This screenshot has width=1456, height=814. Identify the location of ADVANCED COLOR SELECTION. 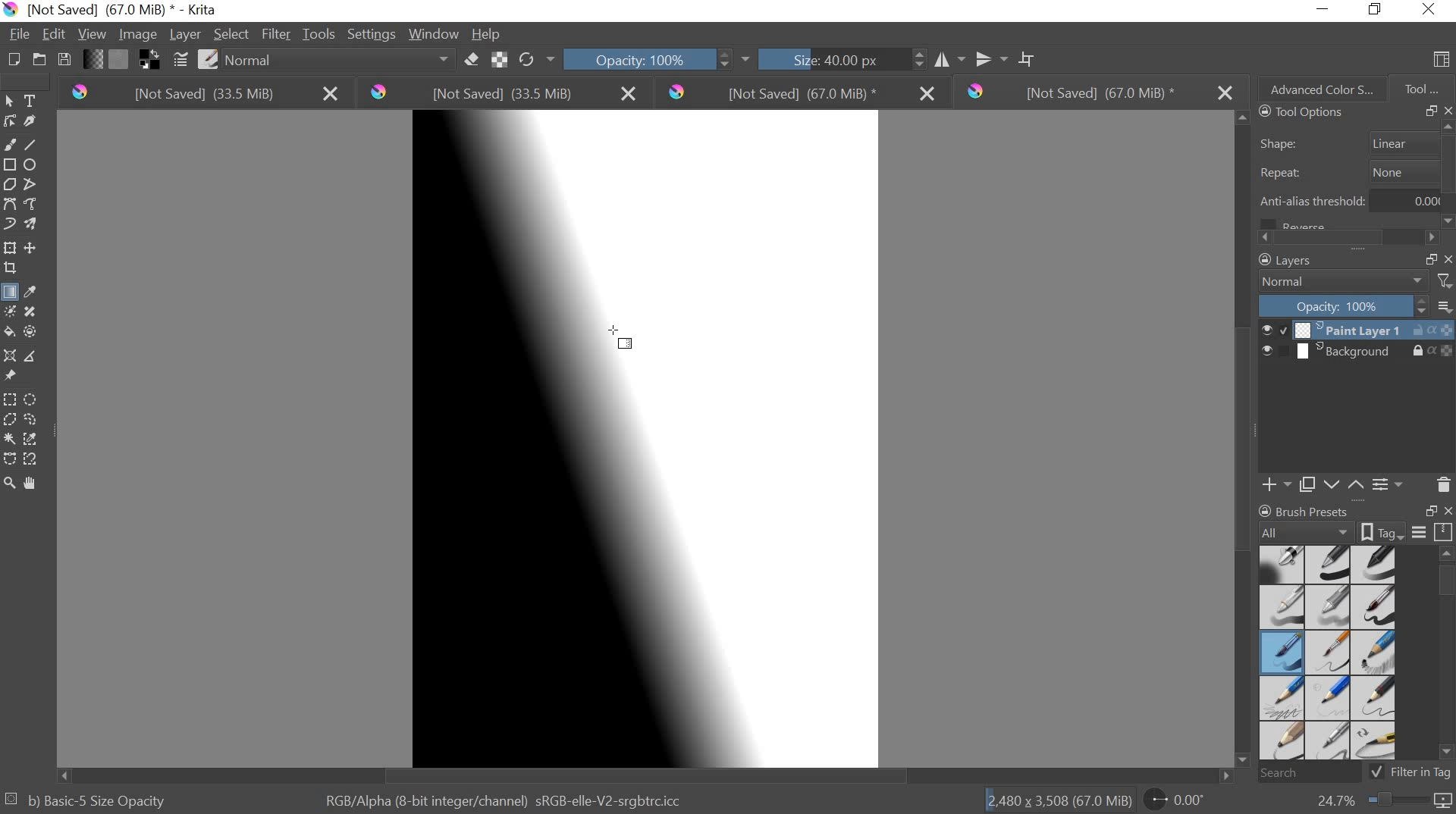
(1316, 86).